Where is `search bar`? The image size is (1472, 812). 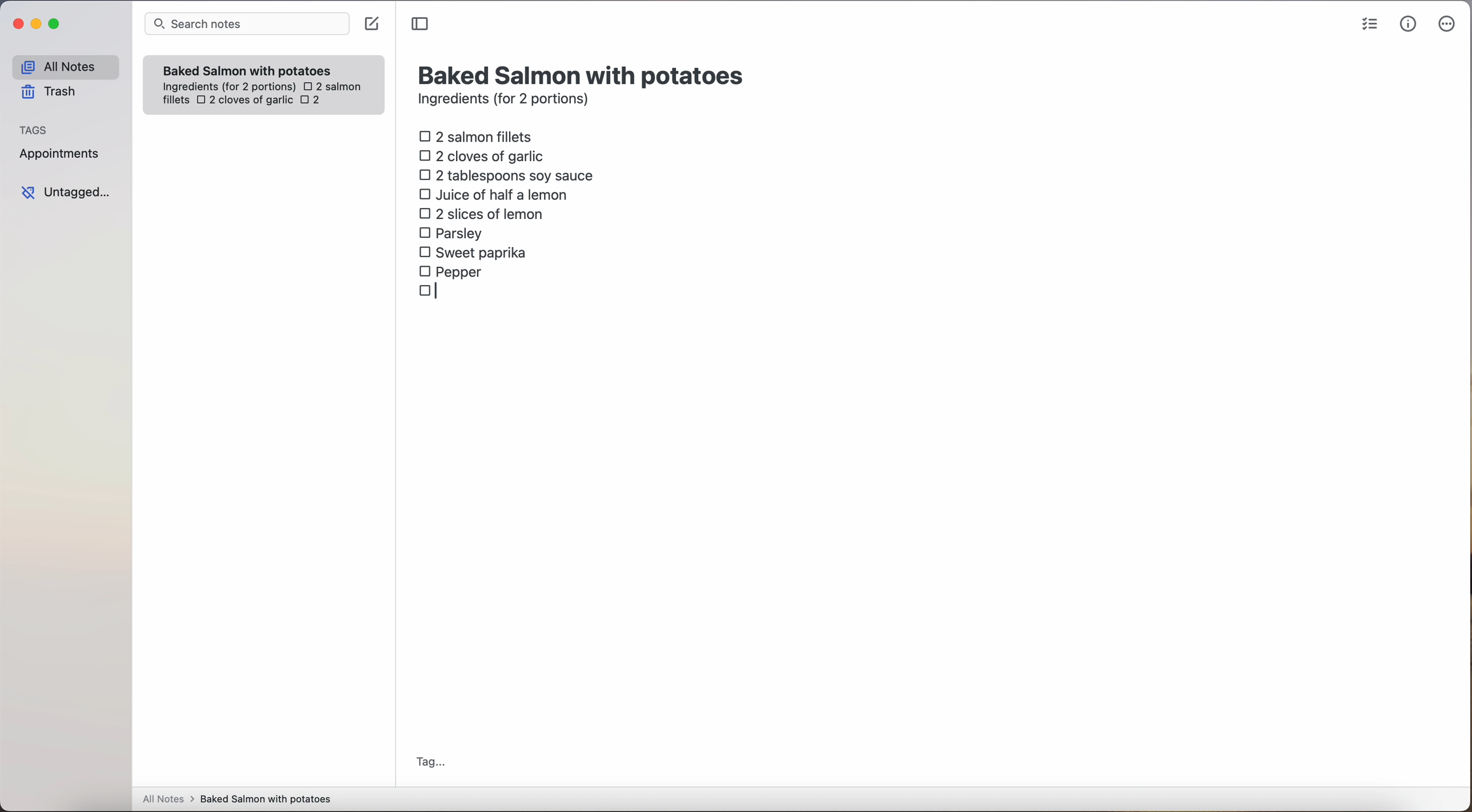 search bar is located at coordinates (246, 25).